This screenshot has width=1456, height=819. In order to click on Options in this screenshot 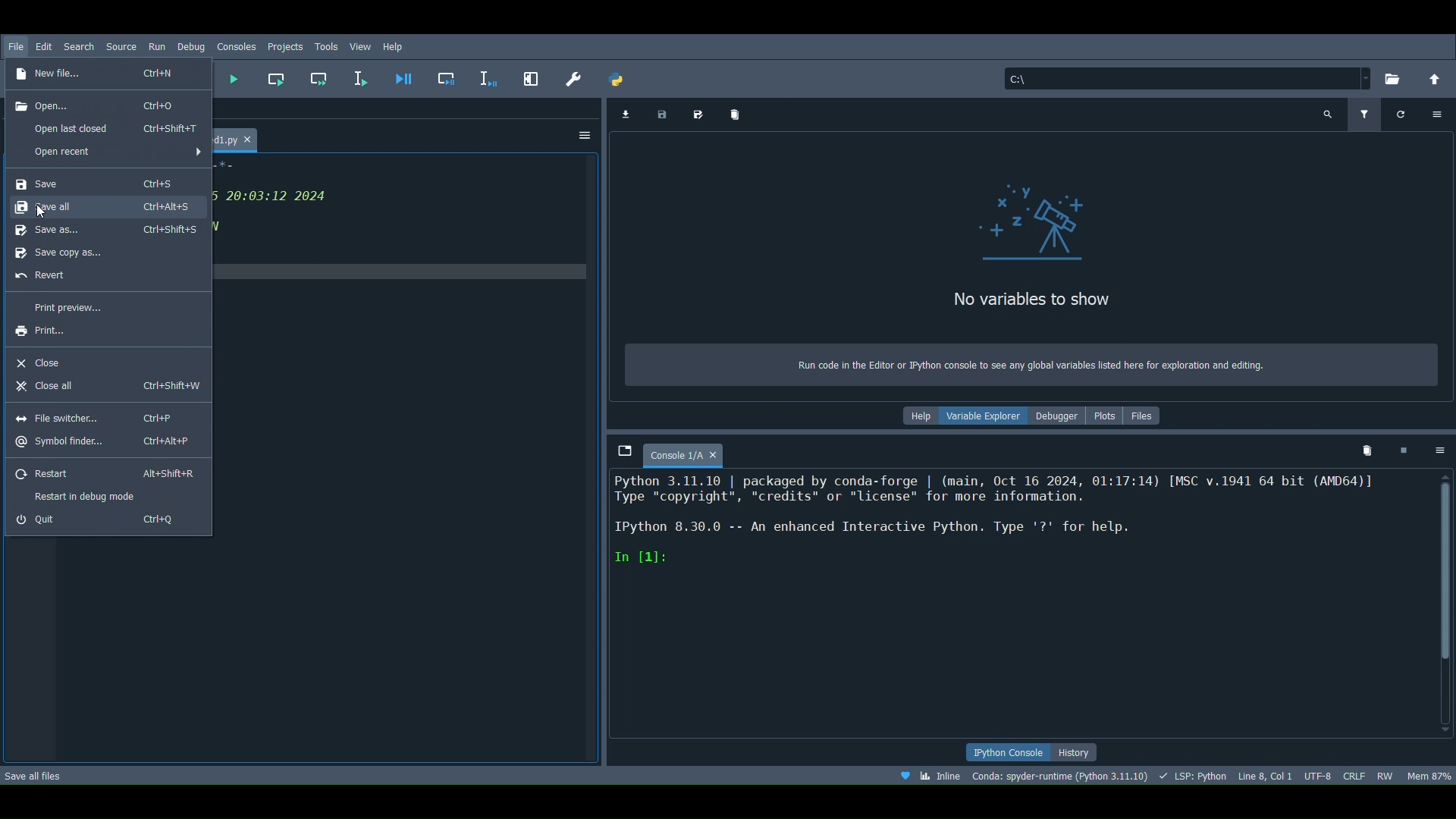, I will do `click(585, 138)`.